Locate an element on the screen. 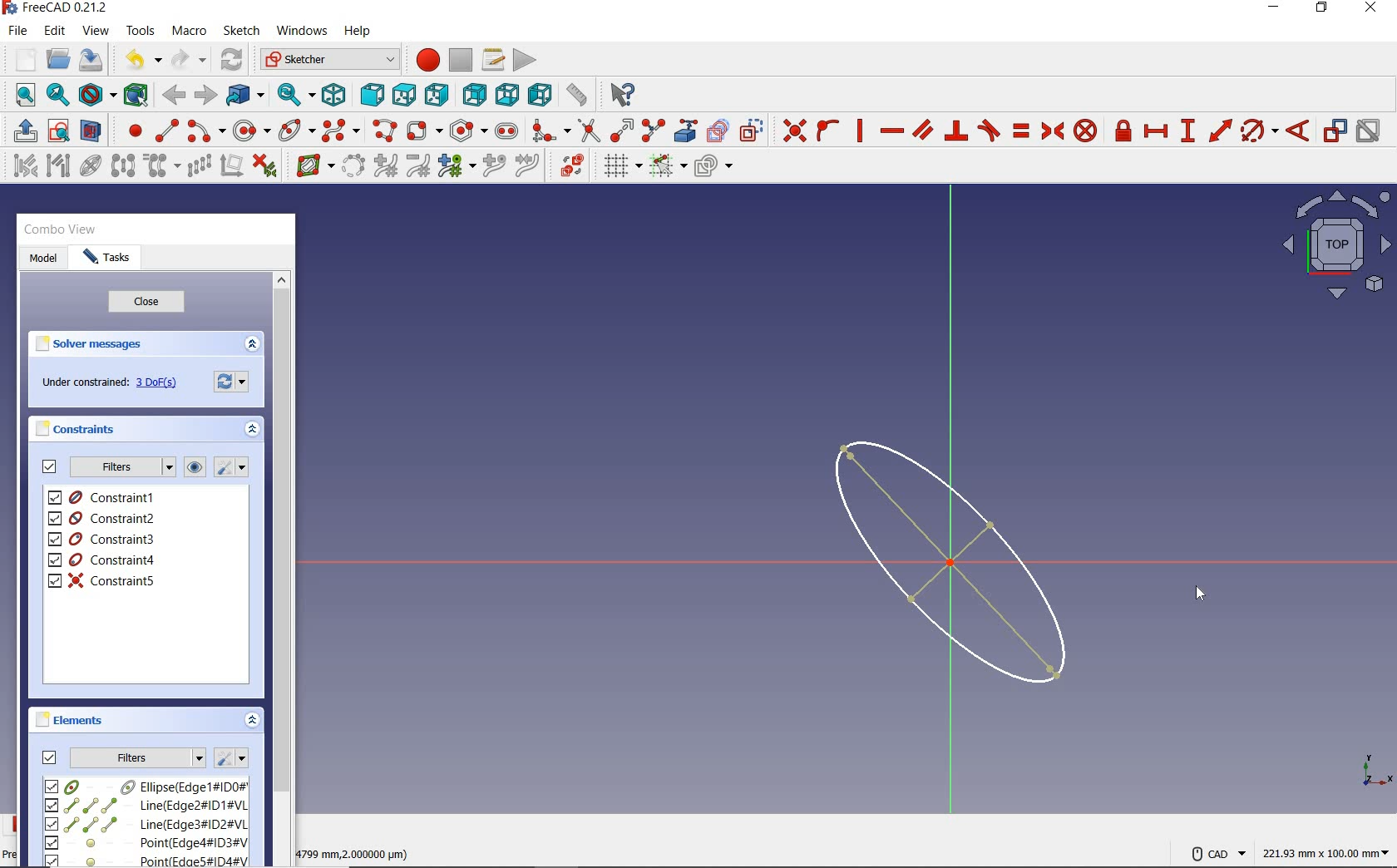 The height and width of the screenshot is (868, 1397). settings is located at coordinates (230, 758).